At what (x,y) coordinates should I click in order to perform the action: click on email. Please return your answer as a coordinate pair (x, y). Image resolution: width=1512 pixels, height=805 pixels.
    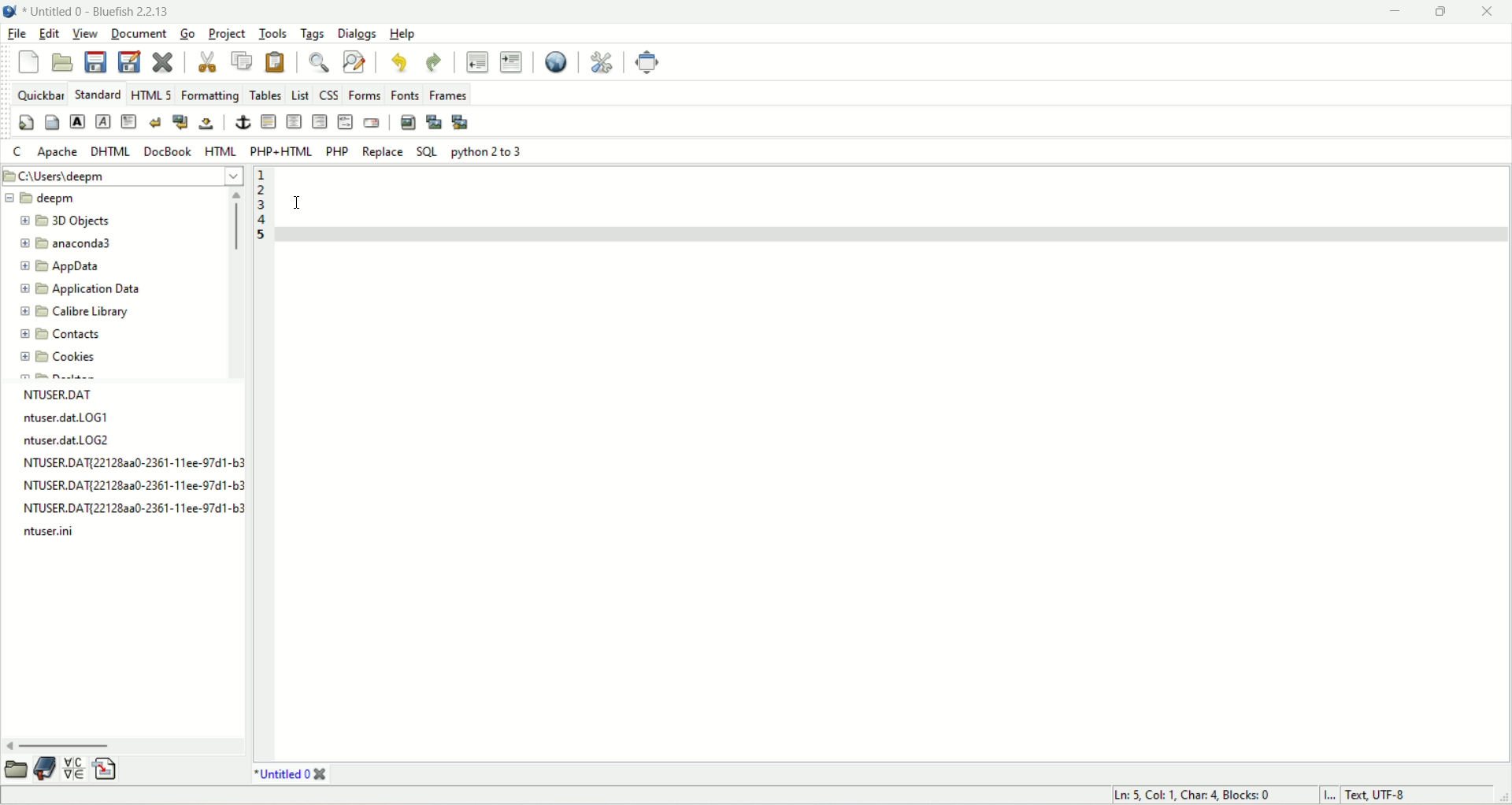
    Looking at the image, I should click on (370, 123).